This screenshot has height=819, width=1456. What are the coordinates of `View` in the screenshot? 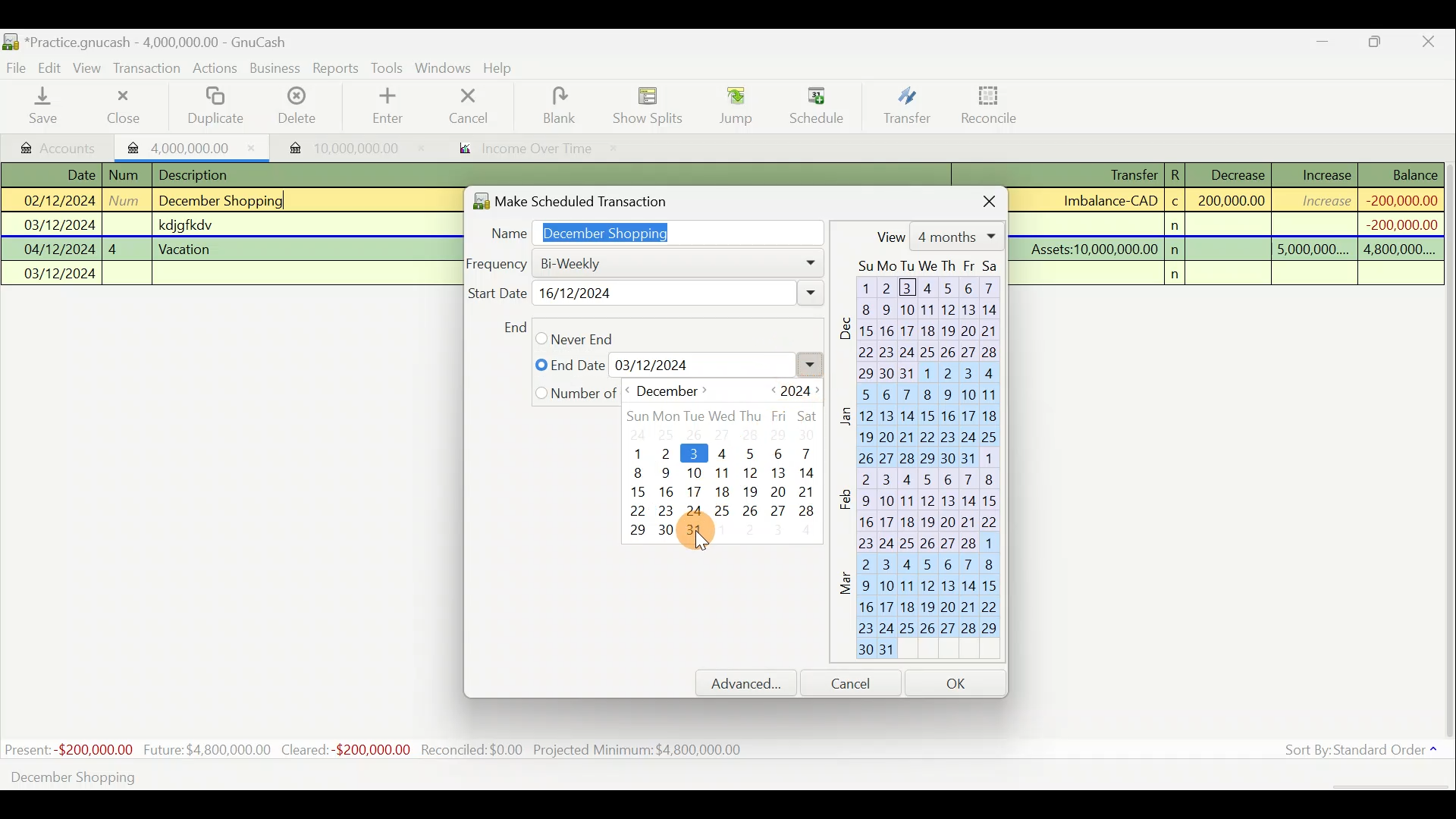 It's located at (89, 68).